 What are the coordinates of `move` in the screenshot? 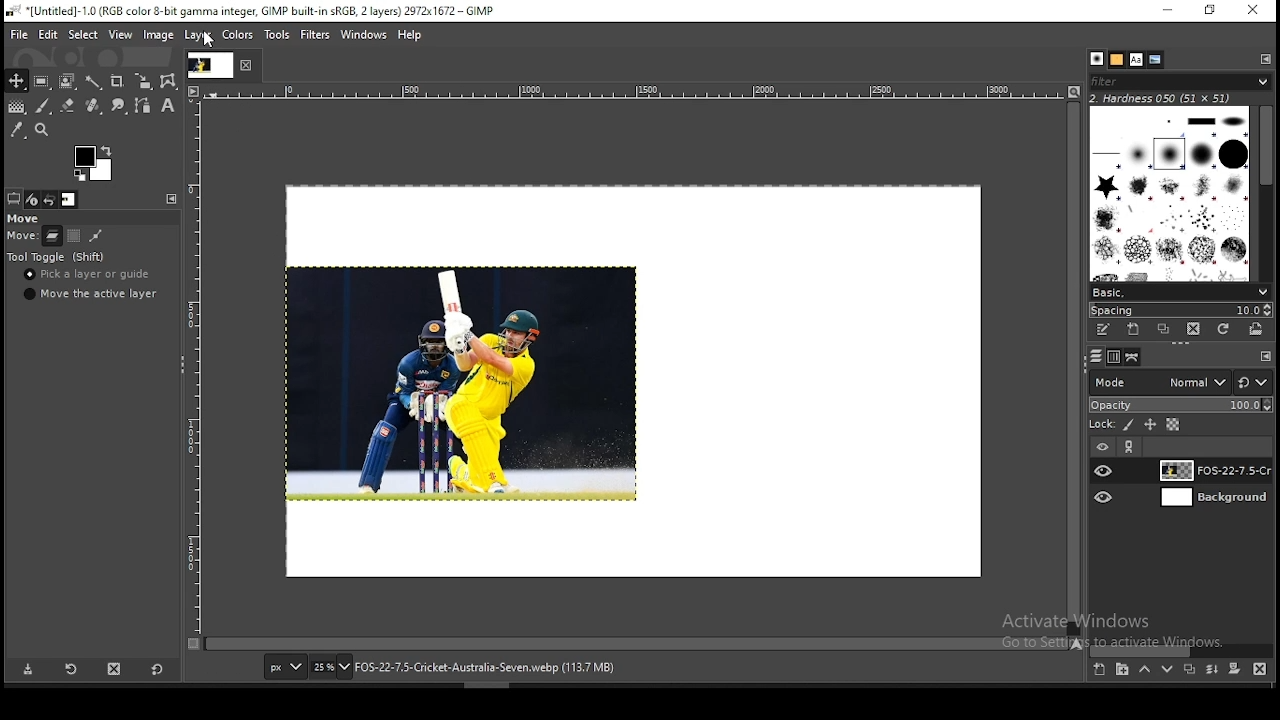 It's located at (22, 238).